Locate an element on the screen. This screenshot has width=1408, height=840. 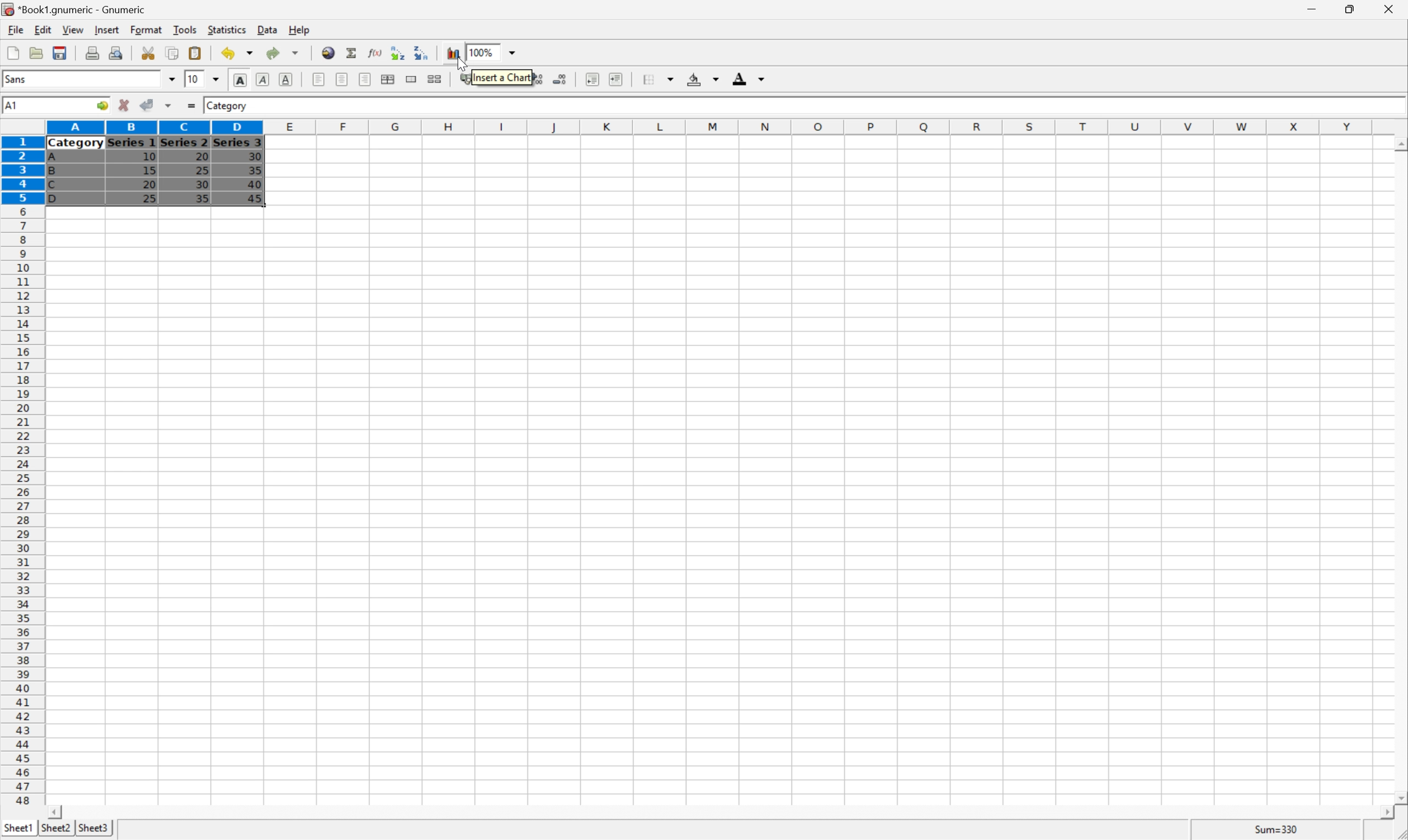
Drop Down is located at coordinates (172, 79).